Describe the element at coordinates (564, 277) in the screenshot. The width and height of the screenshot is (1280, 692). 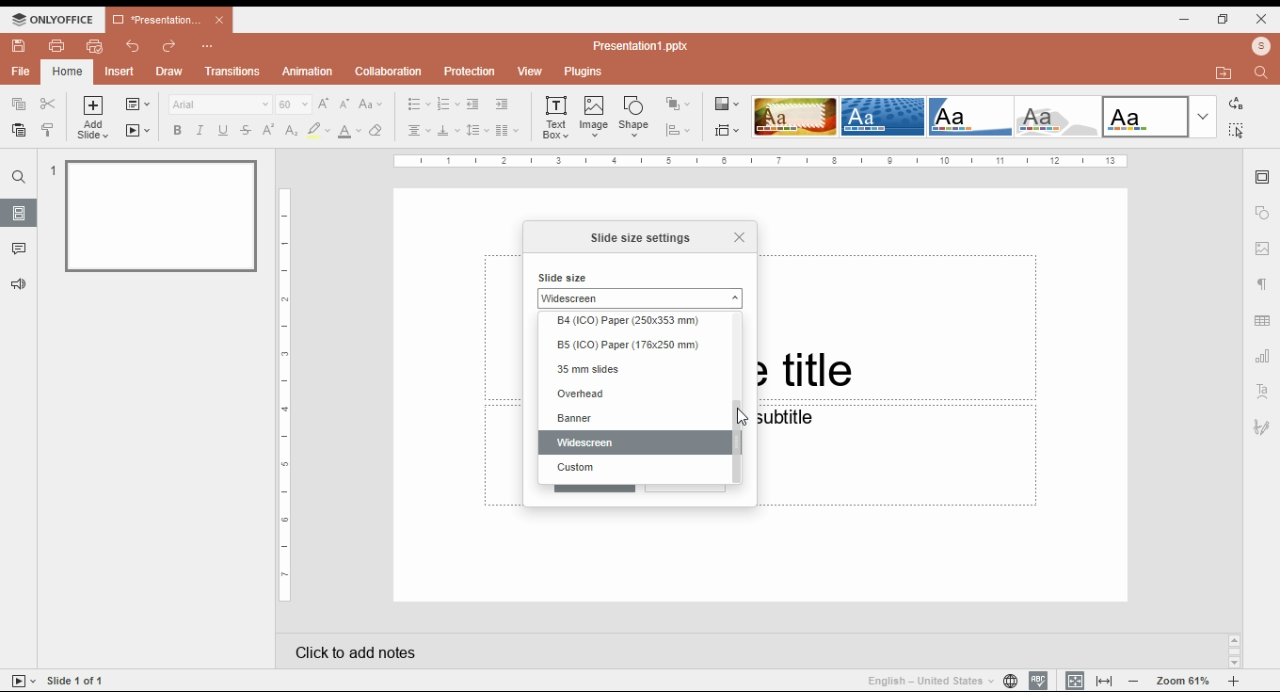
I see `Slide size` at that location.